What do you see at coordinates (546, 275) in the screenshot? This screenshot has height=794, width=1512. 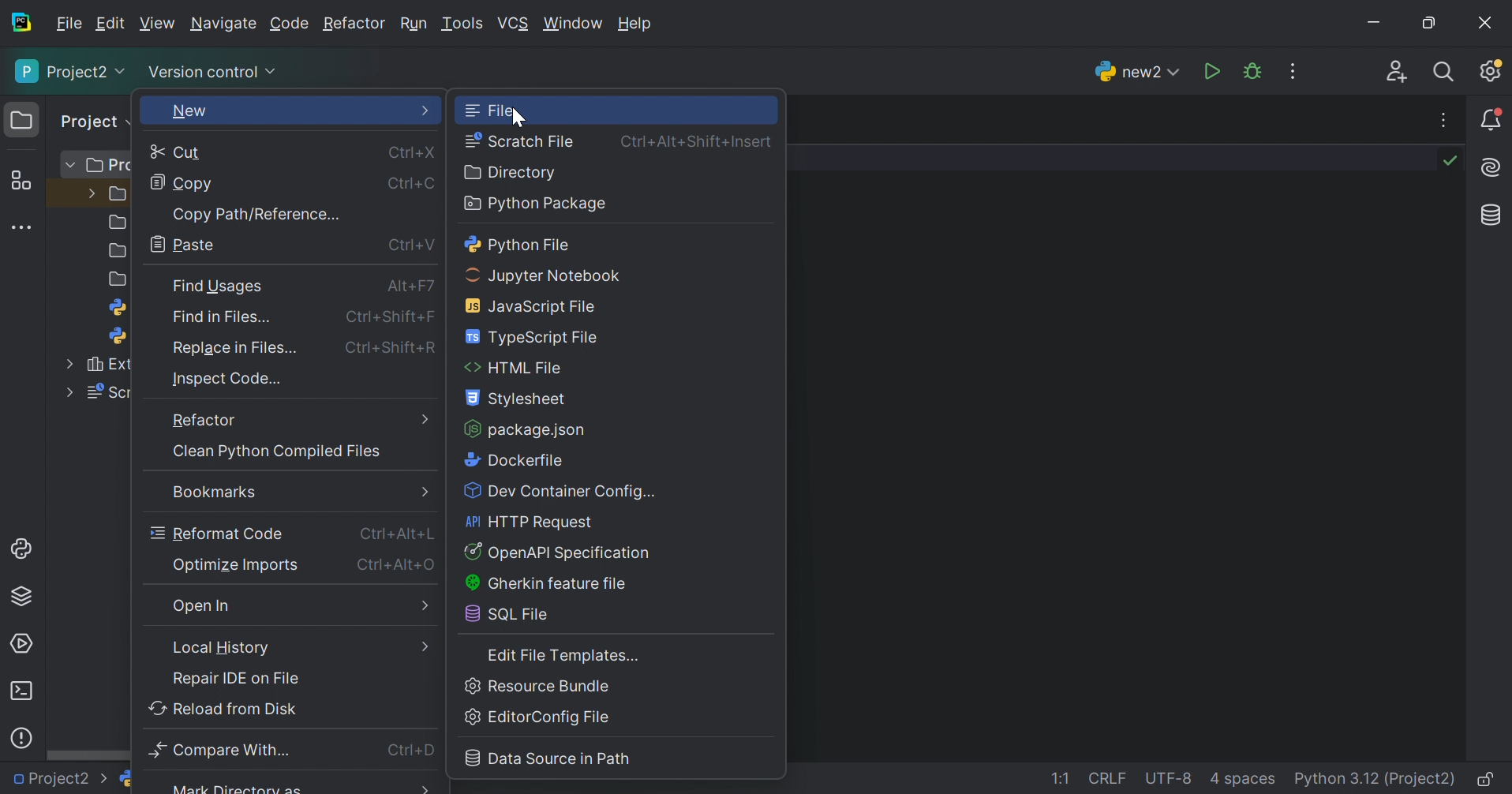 I see `Jupyter notebook` at bounding box center [546, 275].